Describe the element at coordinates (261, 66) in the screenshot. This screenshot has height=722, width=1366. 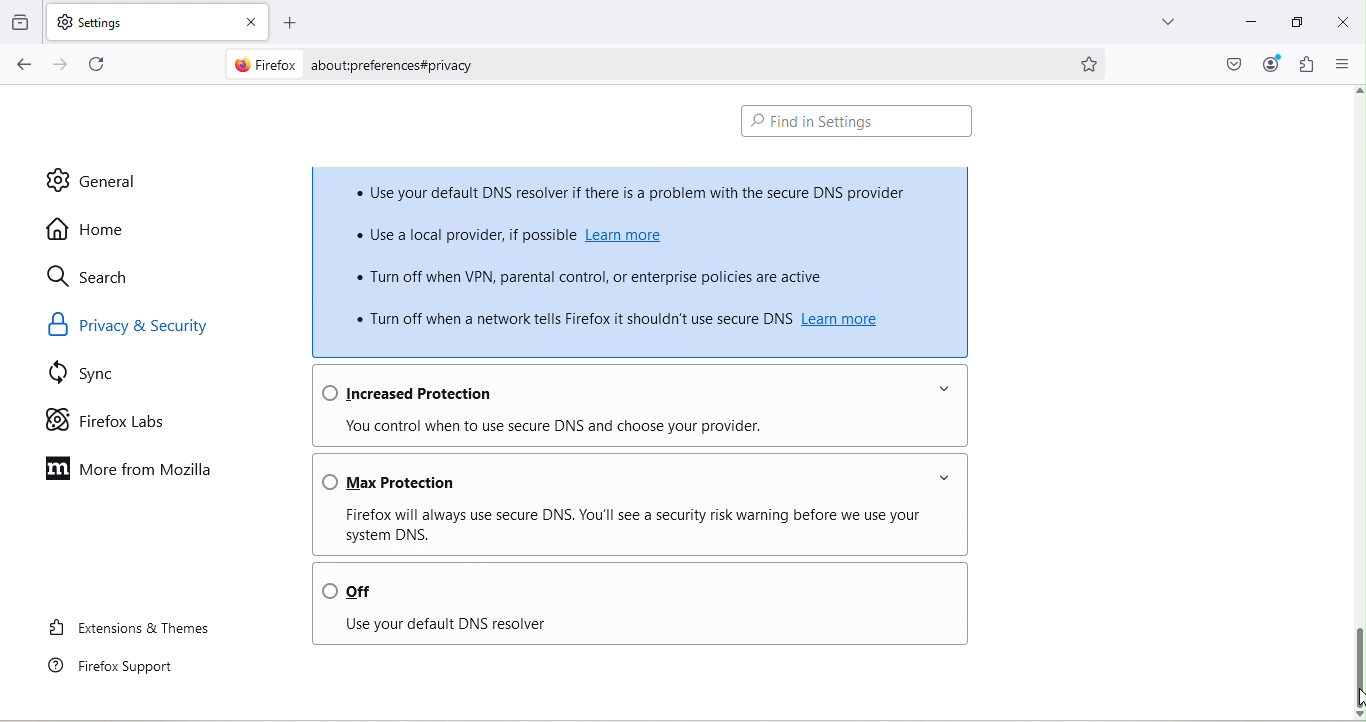
I see `Firefox` at that location.